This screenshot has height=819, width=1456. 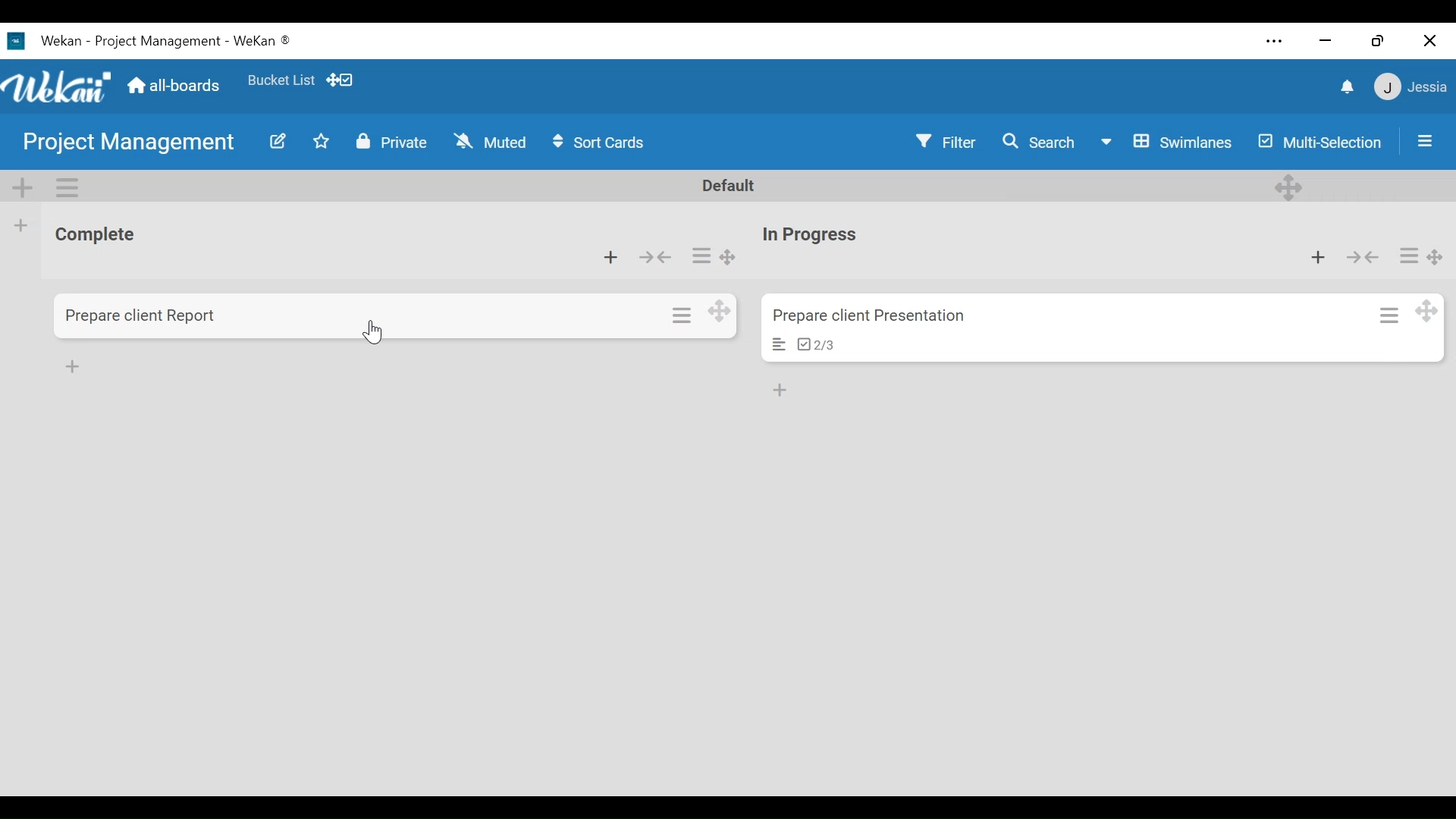 I want to click on Favorites, so click(x=283, y=80).